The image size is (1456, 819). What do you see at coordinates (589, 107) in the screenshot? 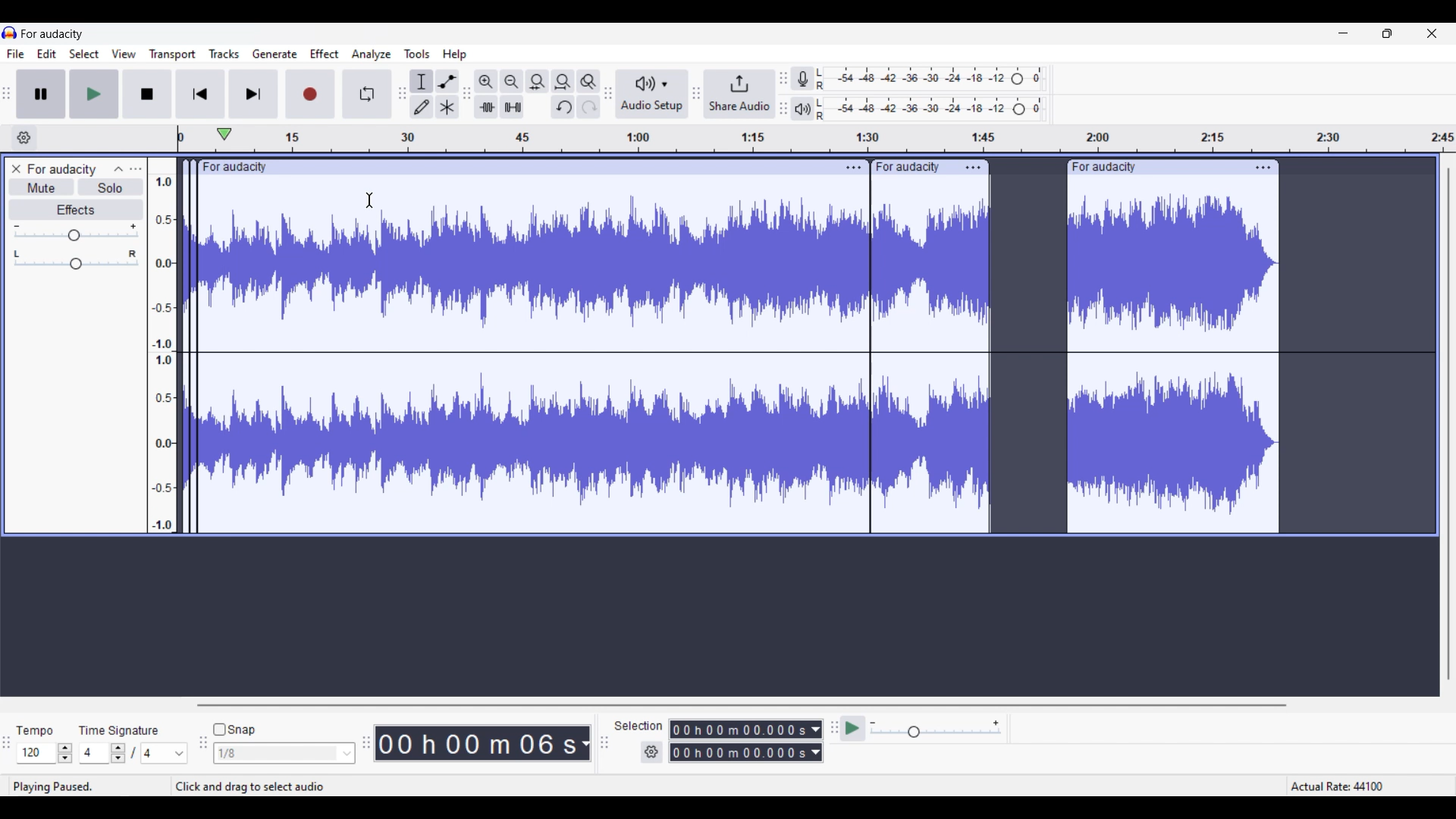
I see `redo` at bounding box center [589, 107].